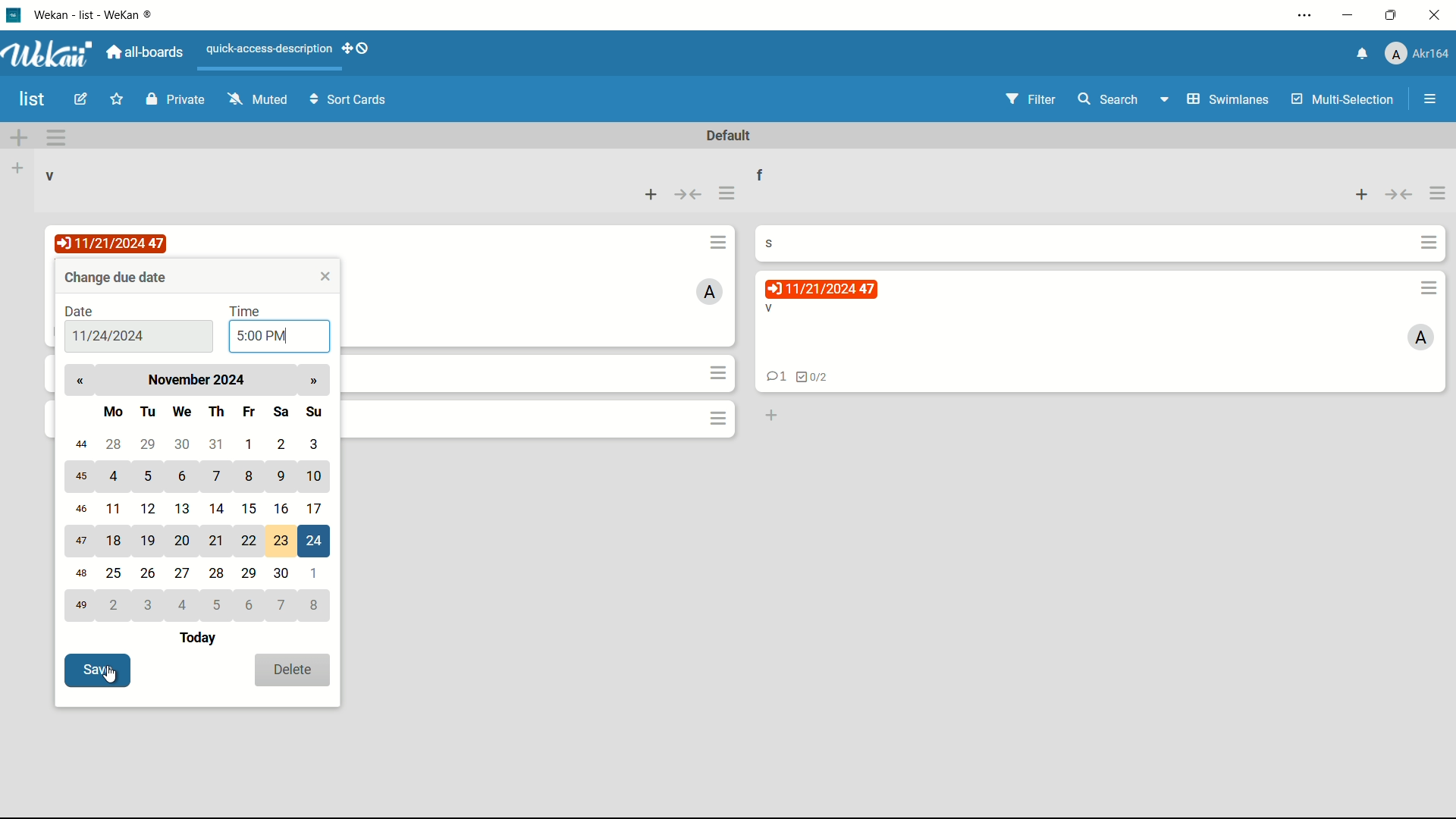  I want to click on 22, so click(248, 541).